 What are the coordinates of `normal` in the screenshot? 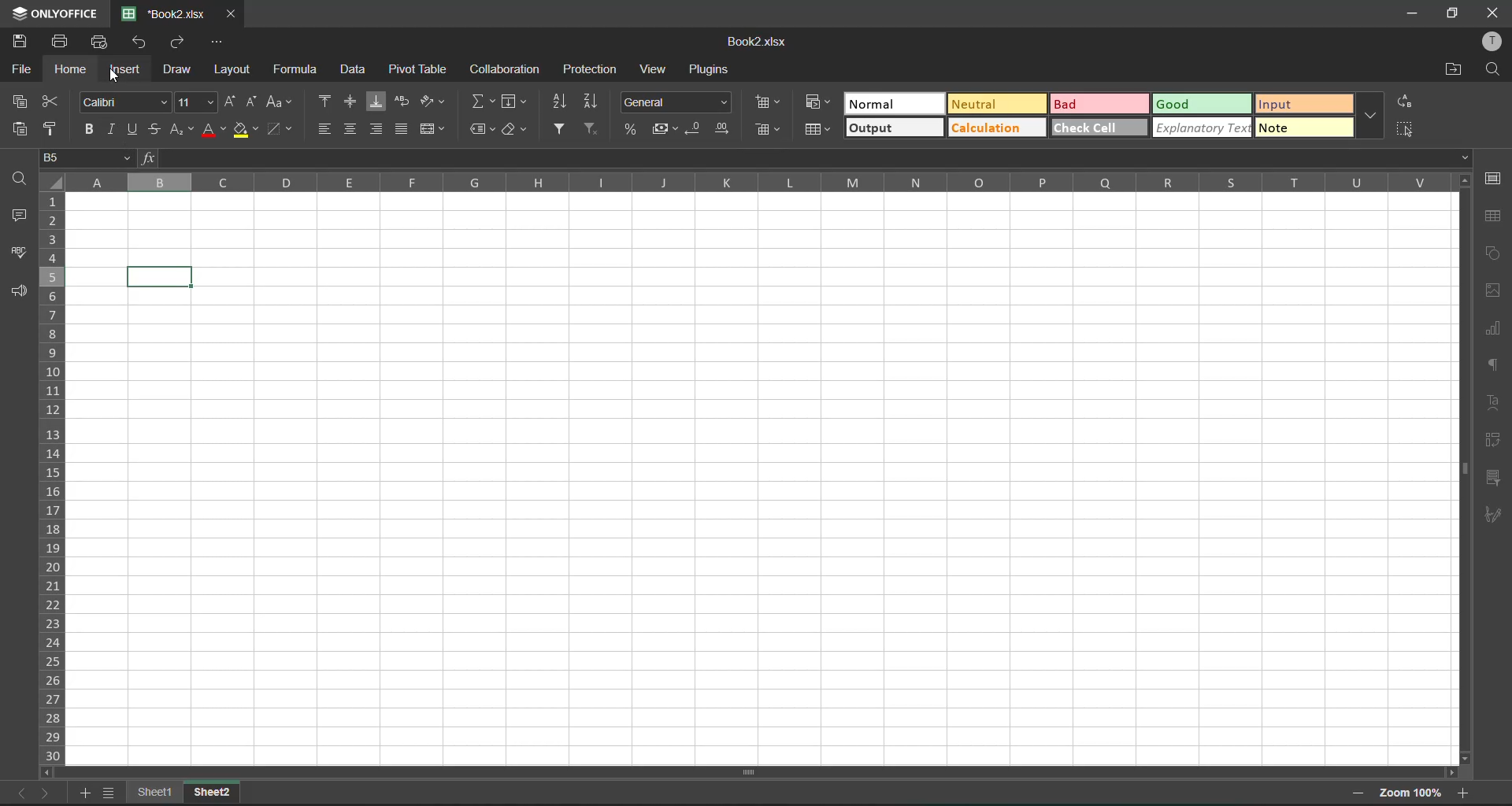 It's located at (894, 104).